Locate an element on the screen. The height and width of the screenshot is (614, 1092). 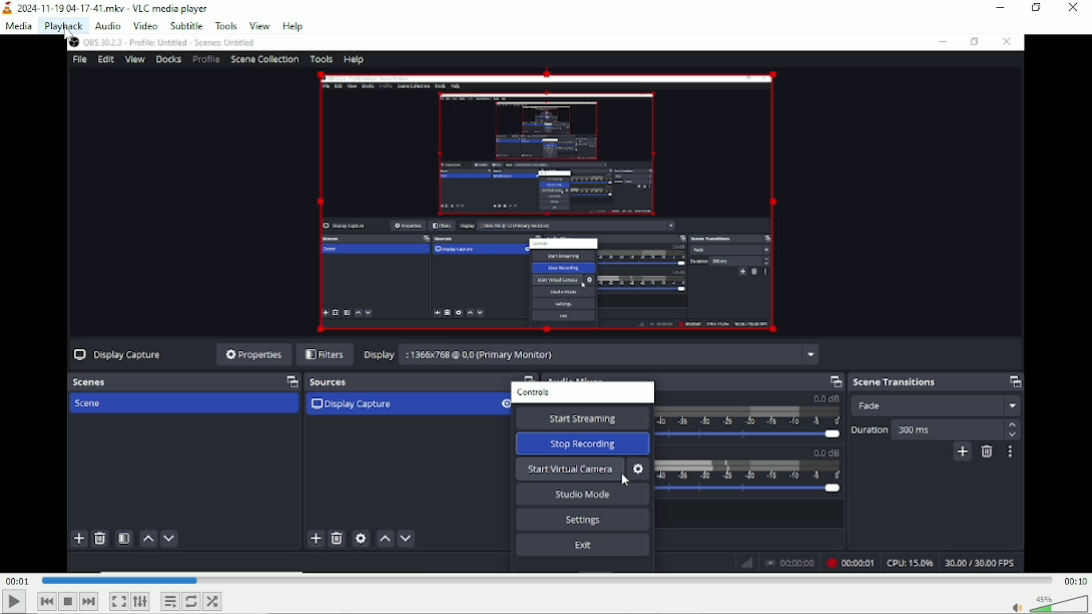
Volume is located at coordinates (1048, 602).